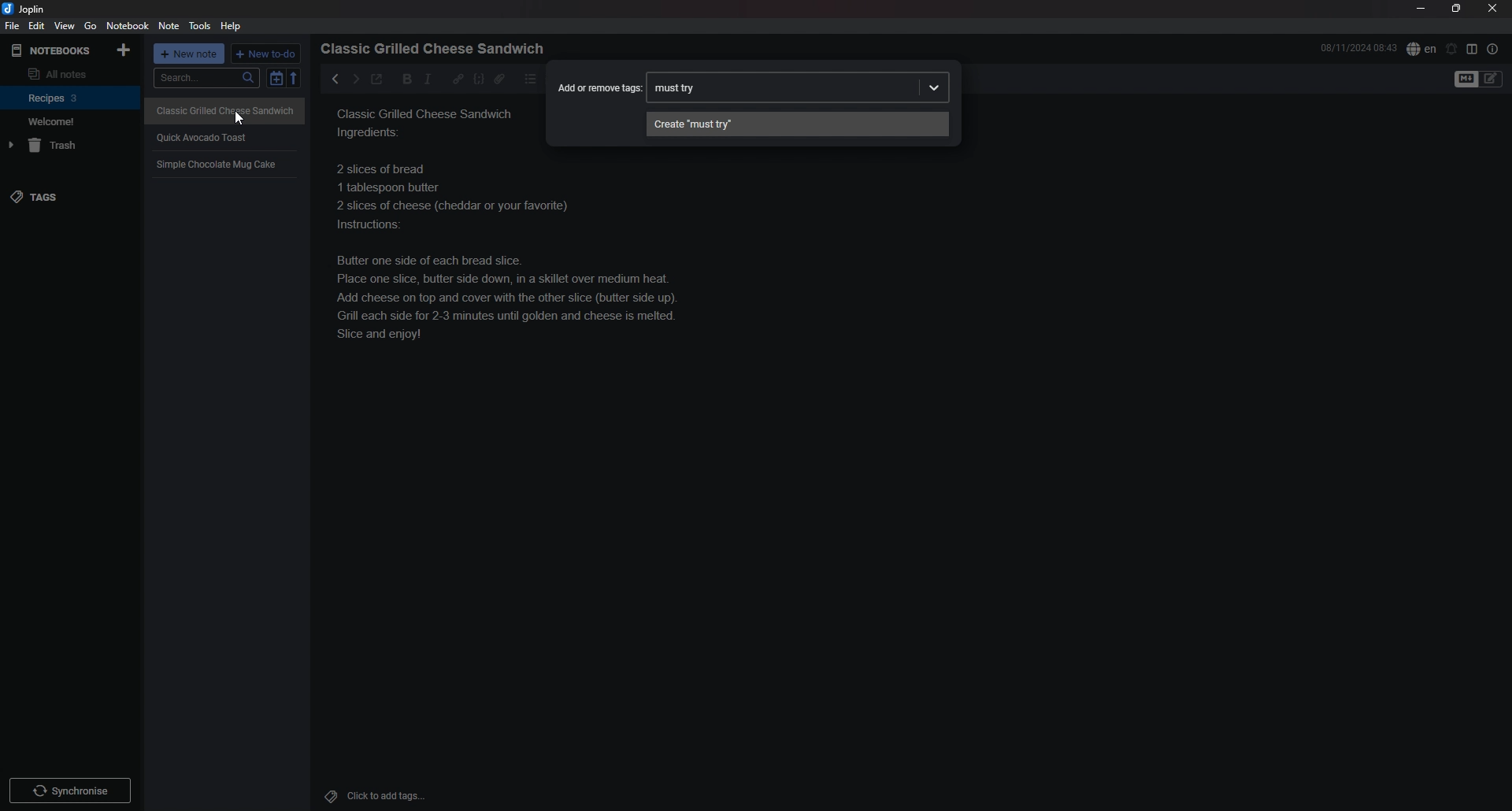  I want to click on hyperlink, so click(458, 78).